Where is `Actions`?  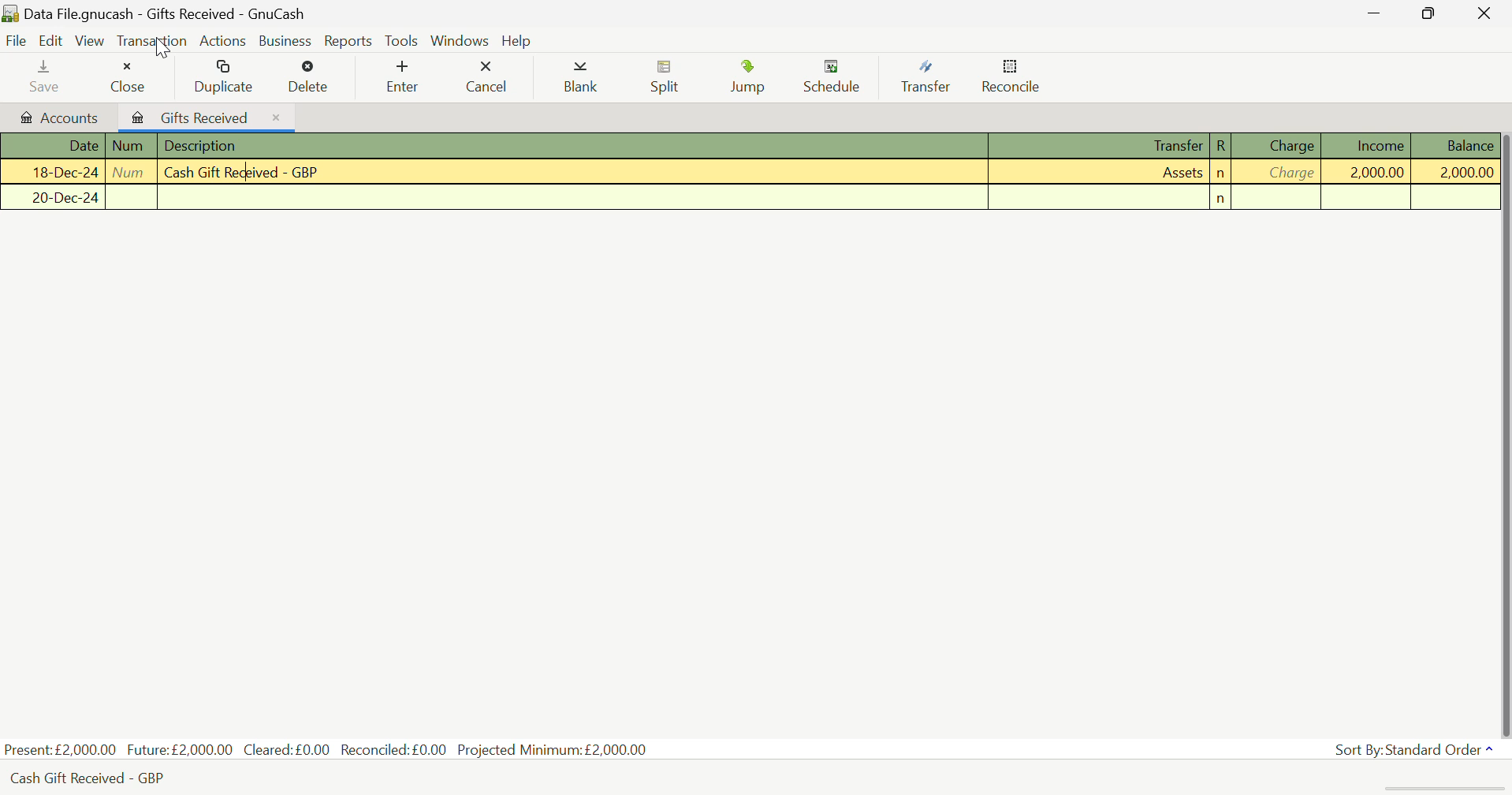
Actions is located at coordinates (222, 40).